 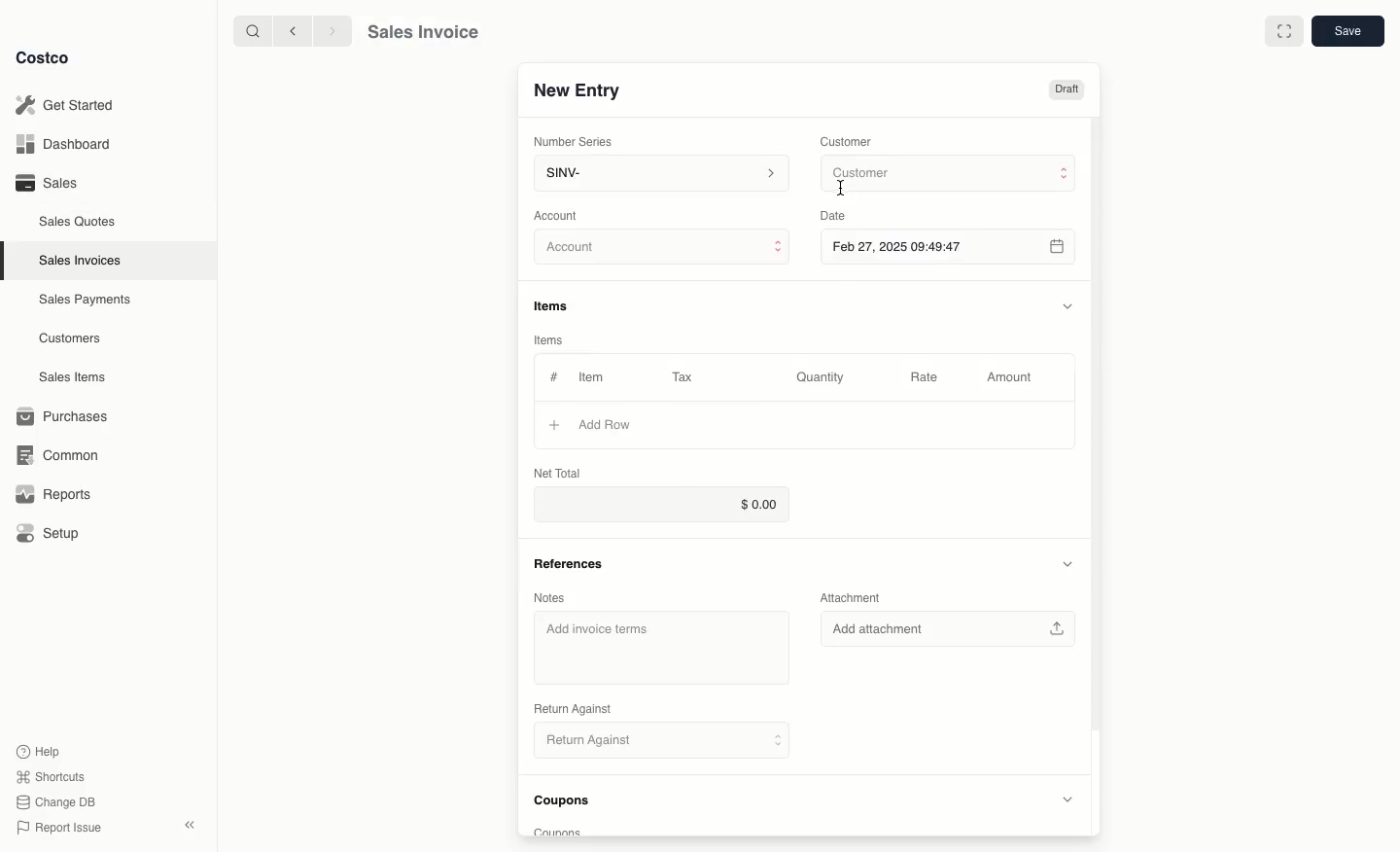 I want to click on Net Total, so click(x=558, y=473).